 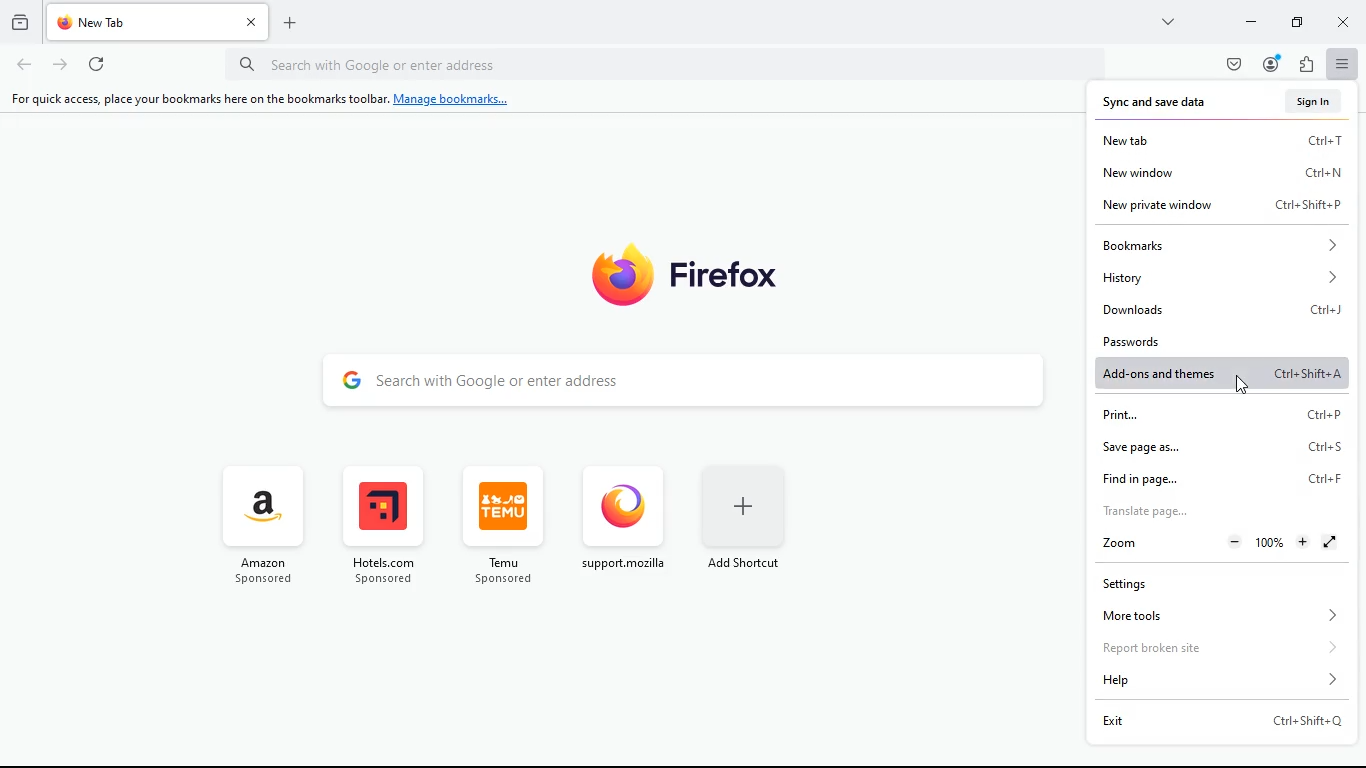 What do you see at coordinates (1223, 510) in the screenshot?
I see `translate page` at bounding box center [1223, 510].